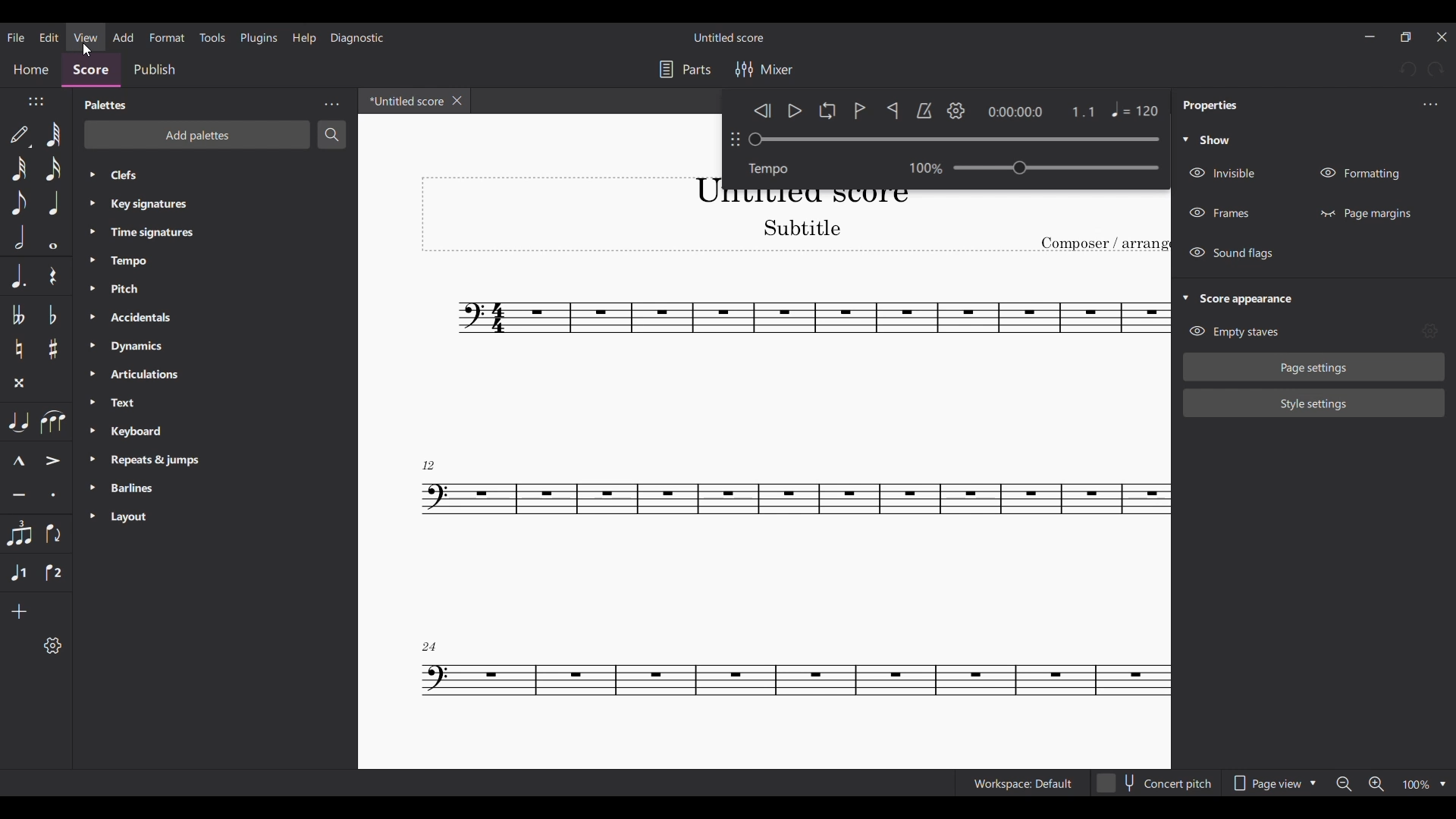 The image size is (1456, 819). I want to click on Rest, so click(52, 275).